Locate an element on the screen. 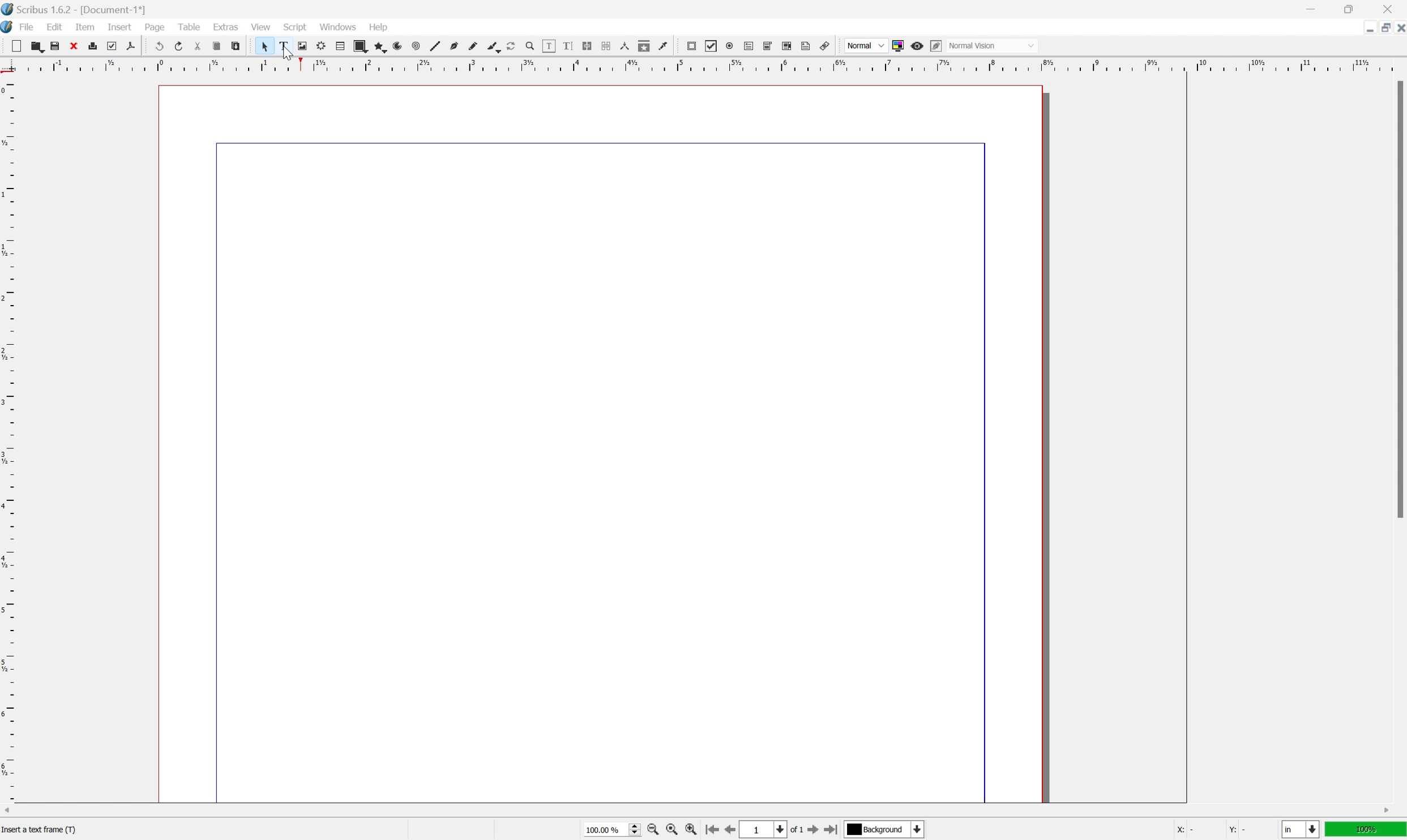 This screenshot has height=840, width=1407. close is located at coordinates (74, 45).